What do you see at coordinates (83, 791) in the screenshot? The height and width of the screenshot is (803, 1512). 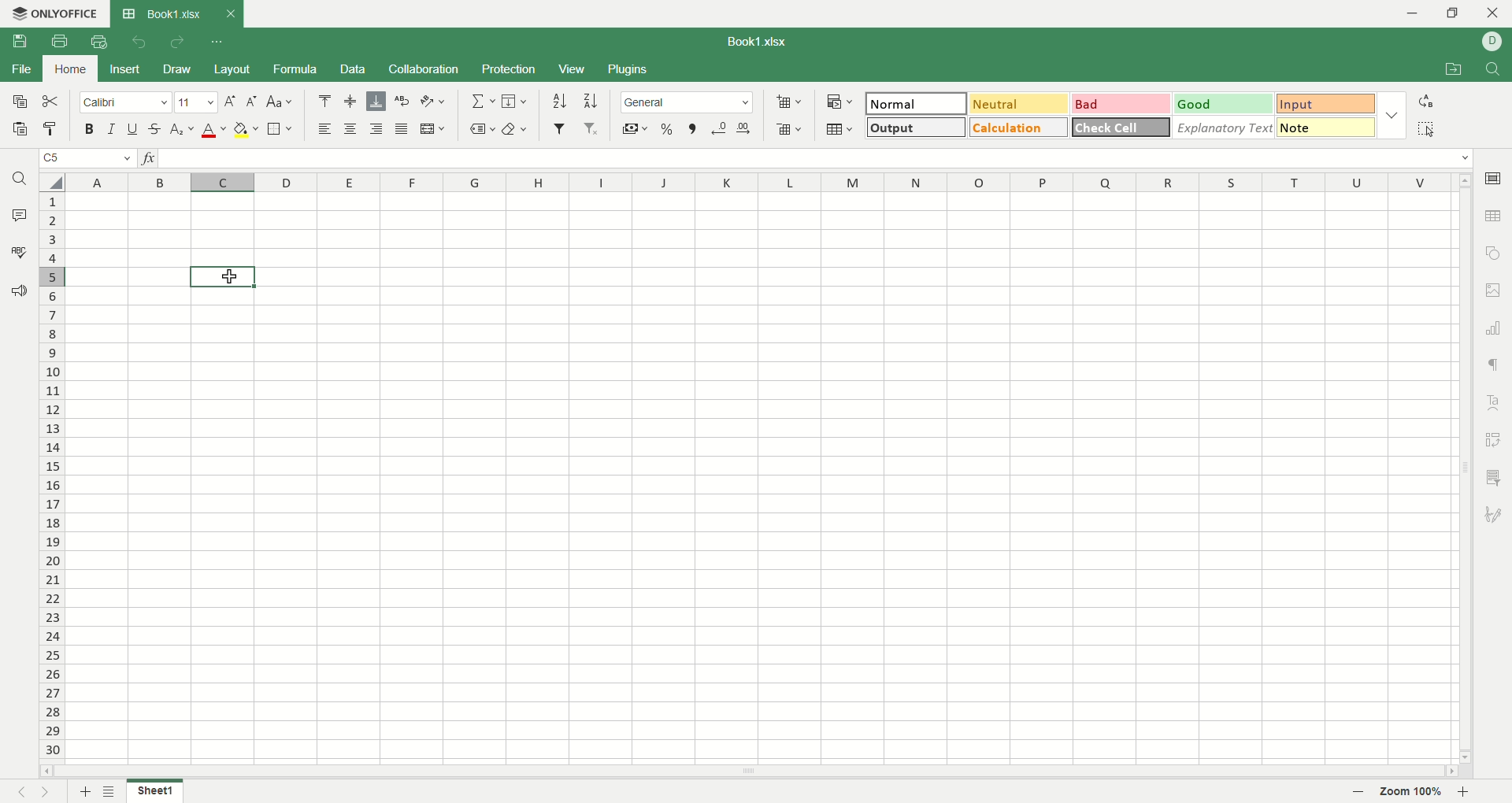 I see `add` at bounding box center [83, 791].